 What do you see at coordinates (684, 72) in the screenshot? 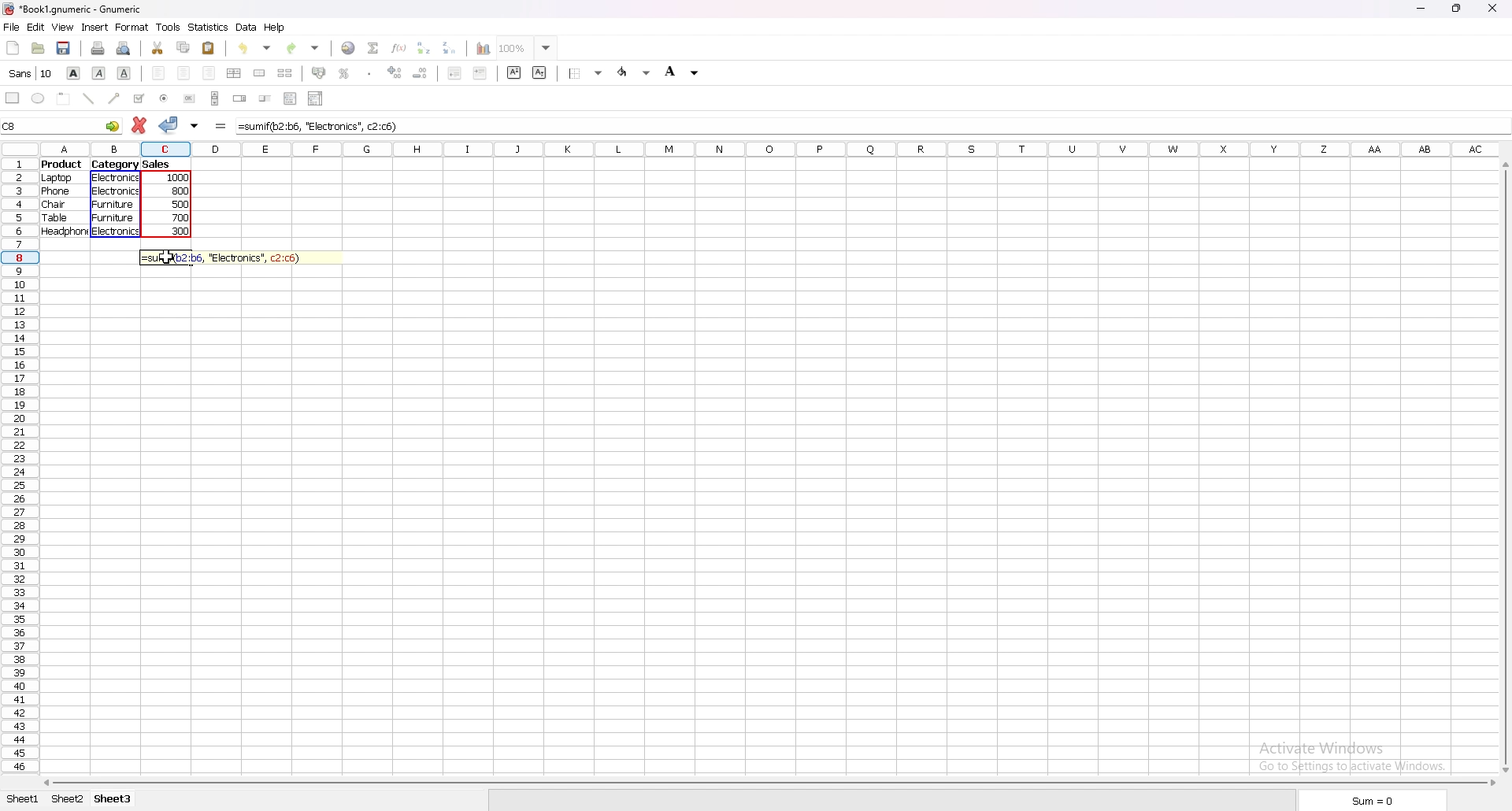
I see `background` at bounding box center [684, 72].